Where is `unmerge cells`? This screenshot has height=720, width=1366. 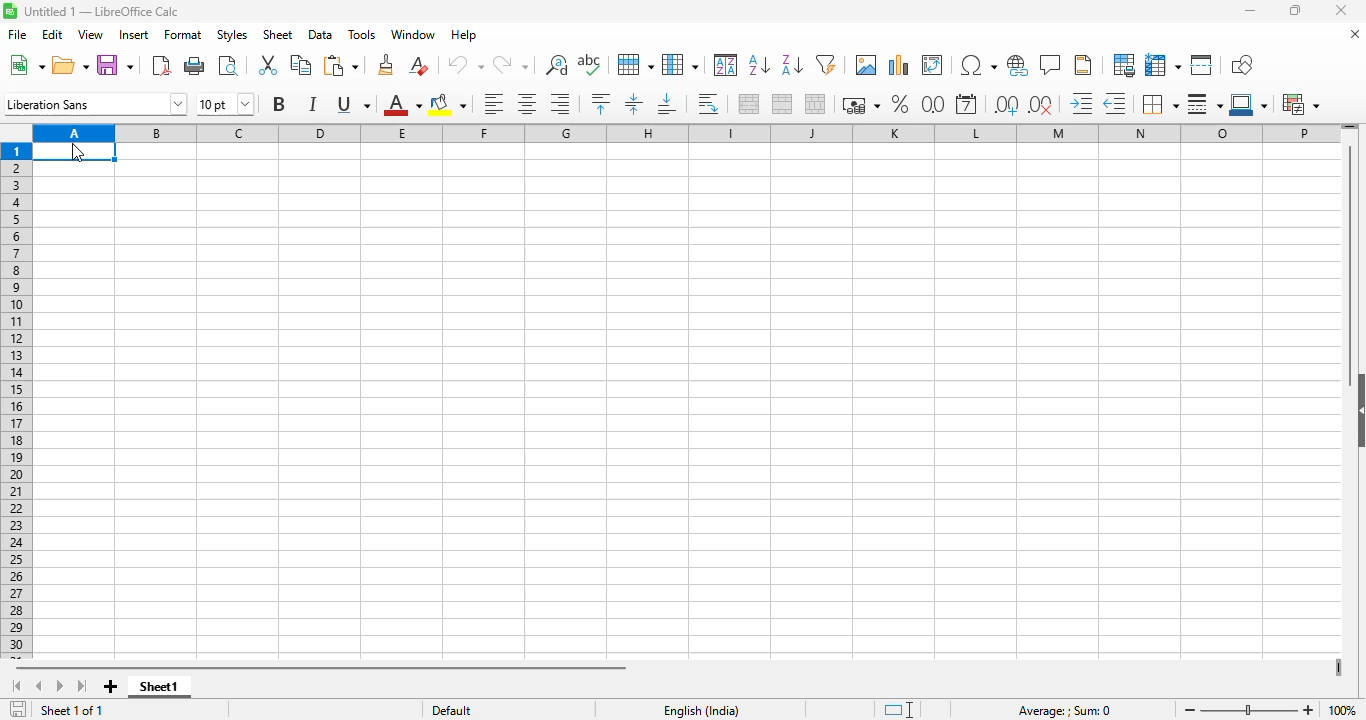 unmerge cells is located at coordinates (814, 104).